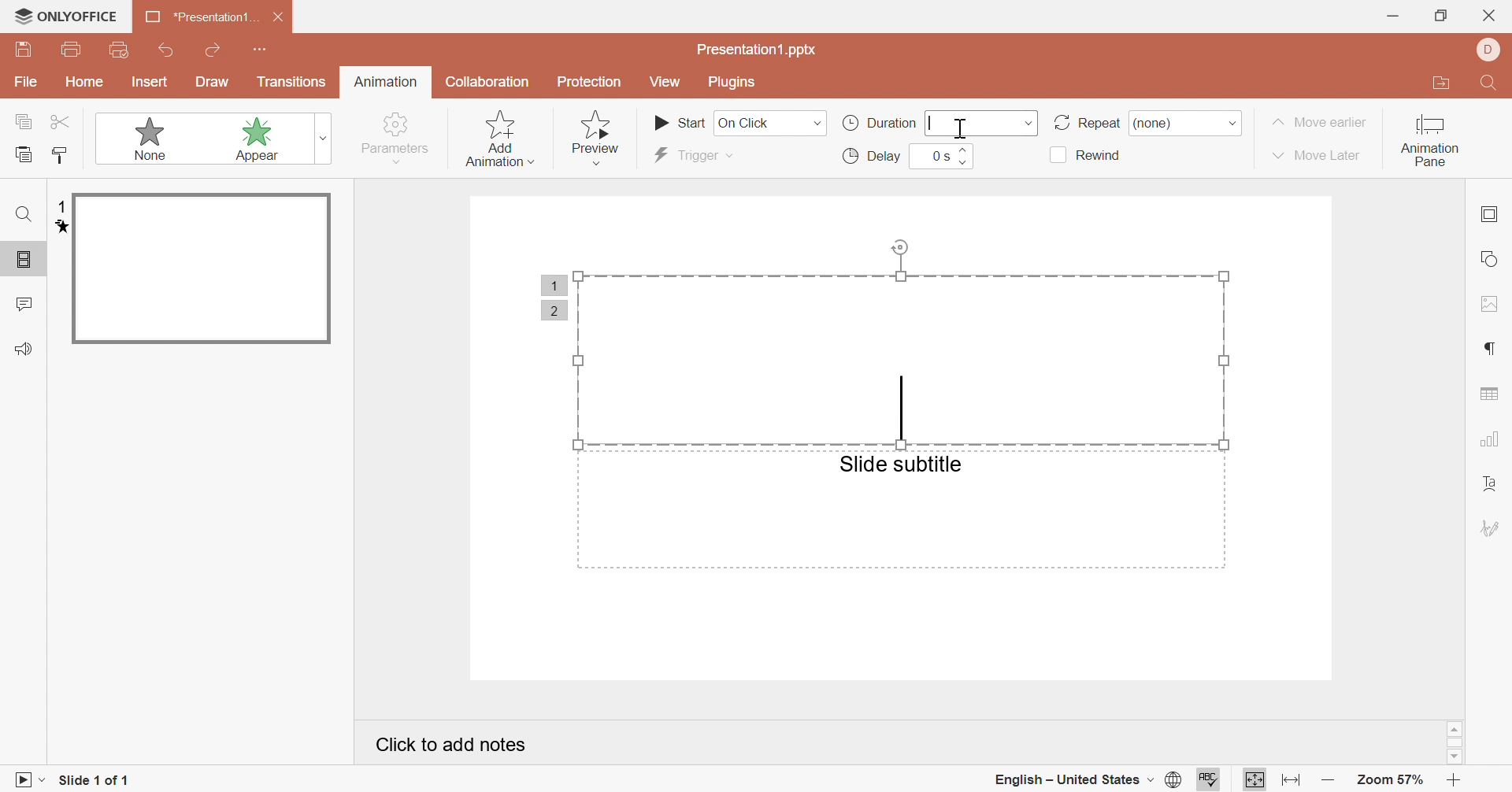 The image size is (1512, 792). What do you see at coordinates (1490, 49) in the screenshot?
I see `dell` at bounding box center [1490, 49].